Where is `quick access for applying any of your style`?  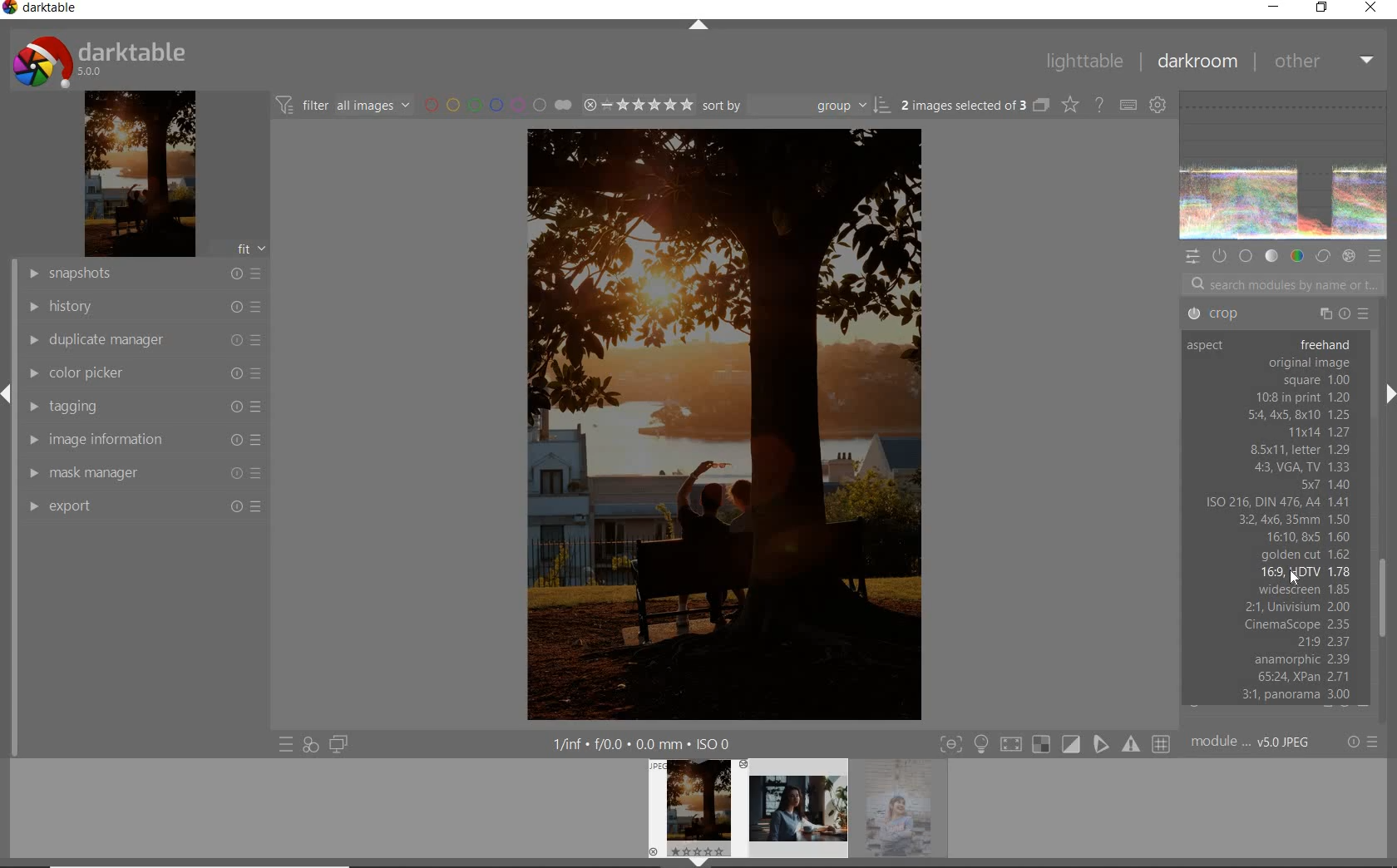
quick access for applying any of your style is located at coordinates (311, 746).